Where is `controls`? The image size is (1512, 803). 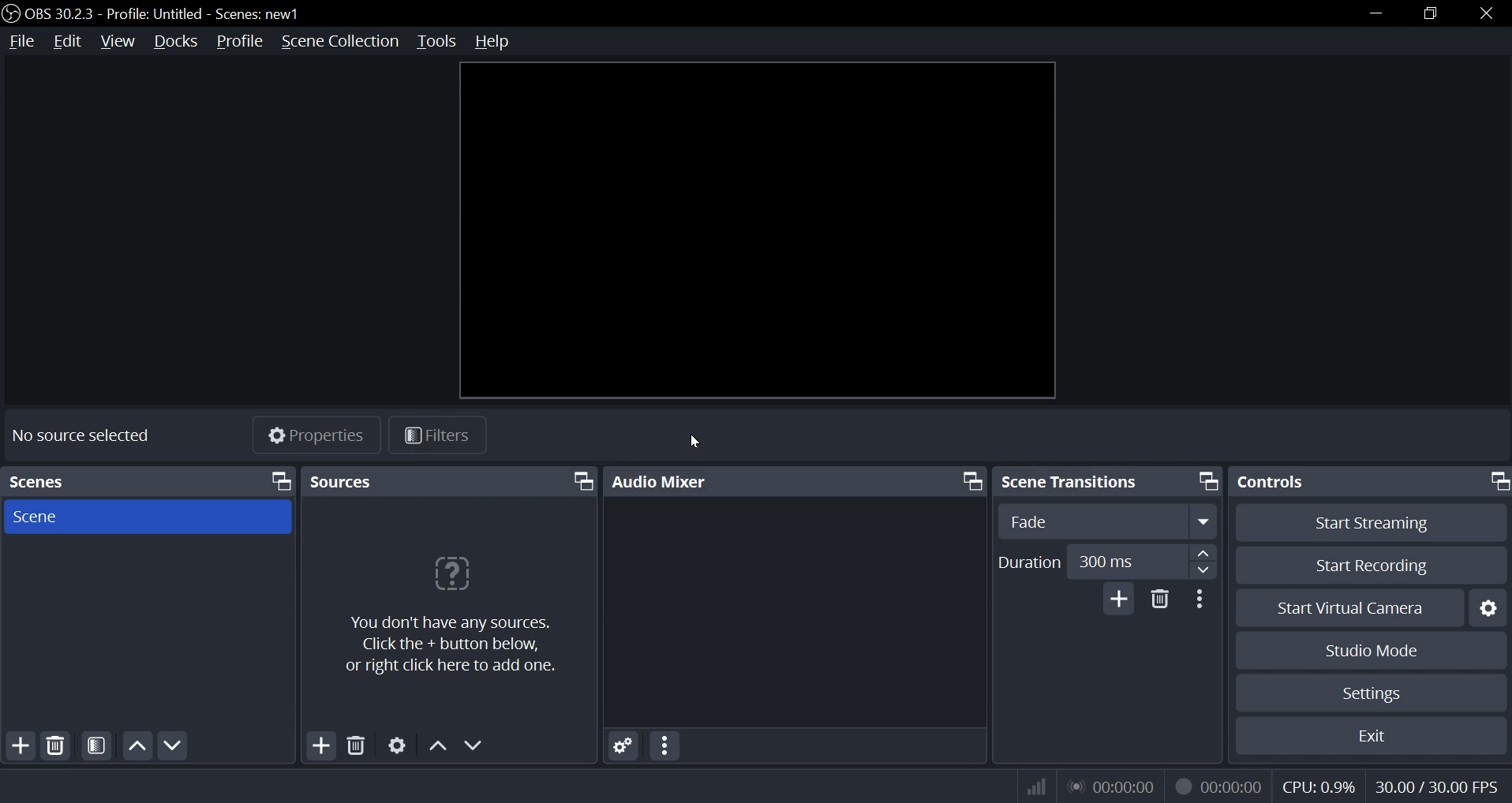 controls is located at coordinates (1277, 483).